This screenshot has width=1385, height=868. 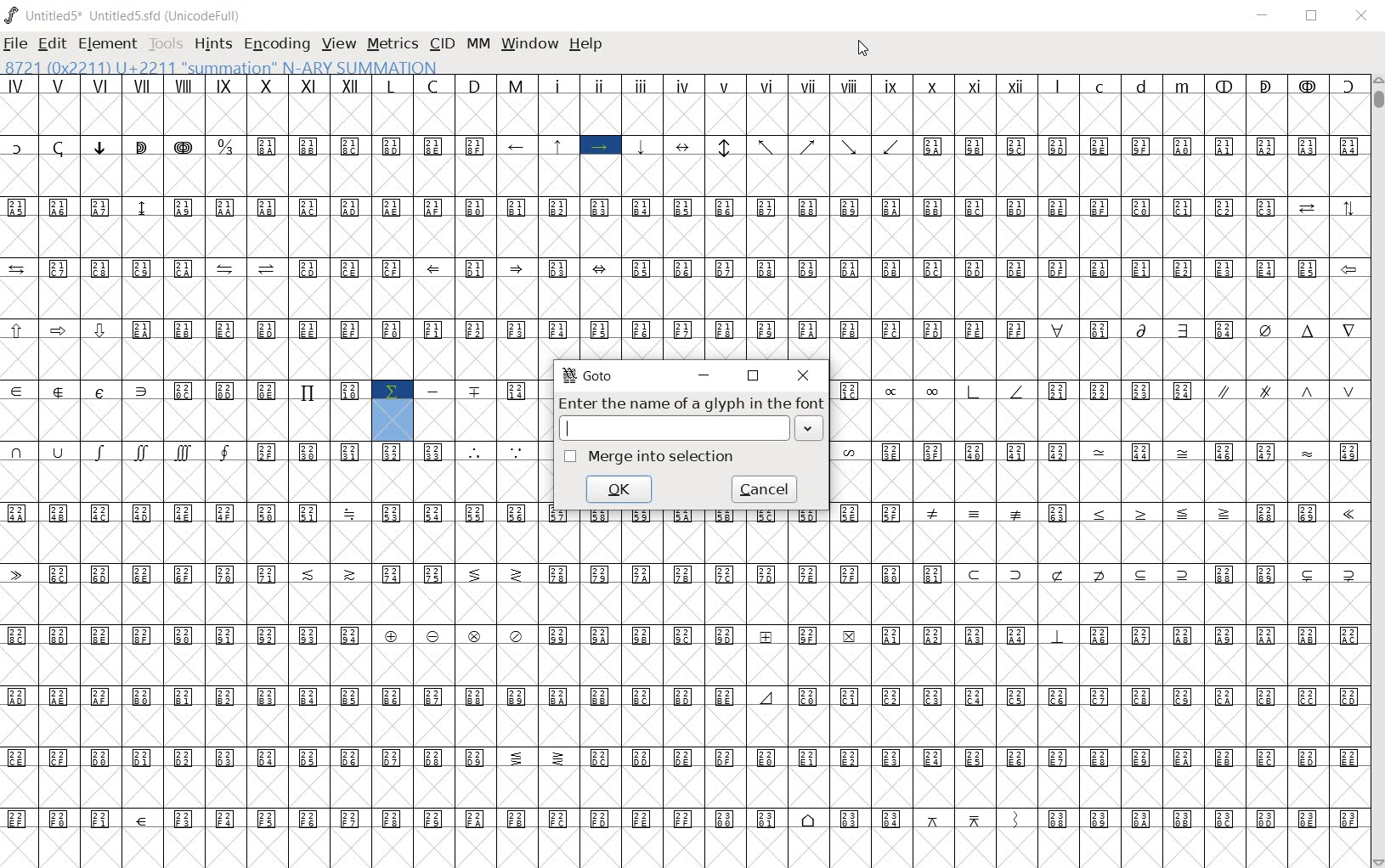 What do you see at coordinates (687, 179) in the screenshot?
I see `empty cells` at bounding box center [687, 179].